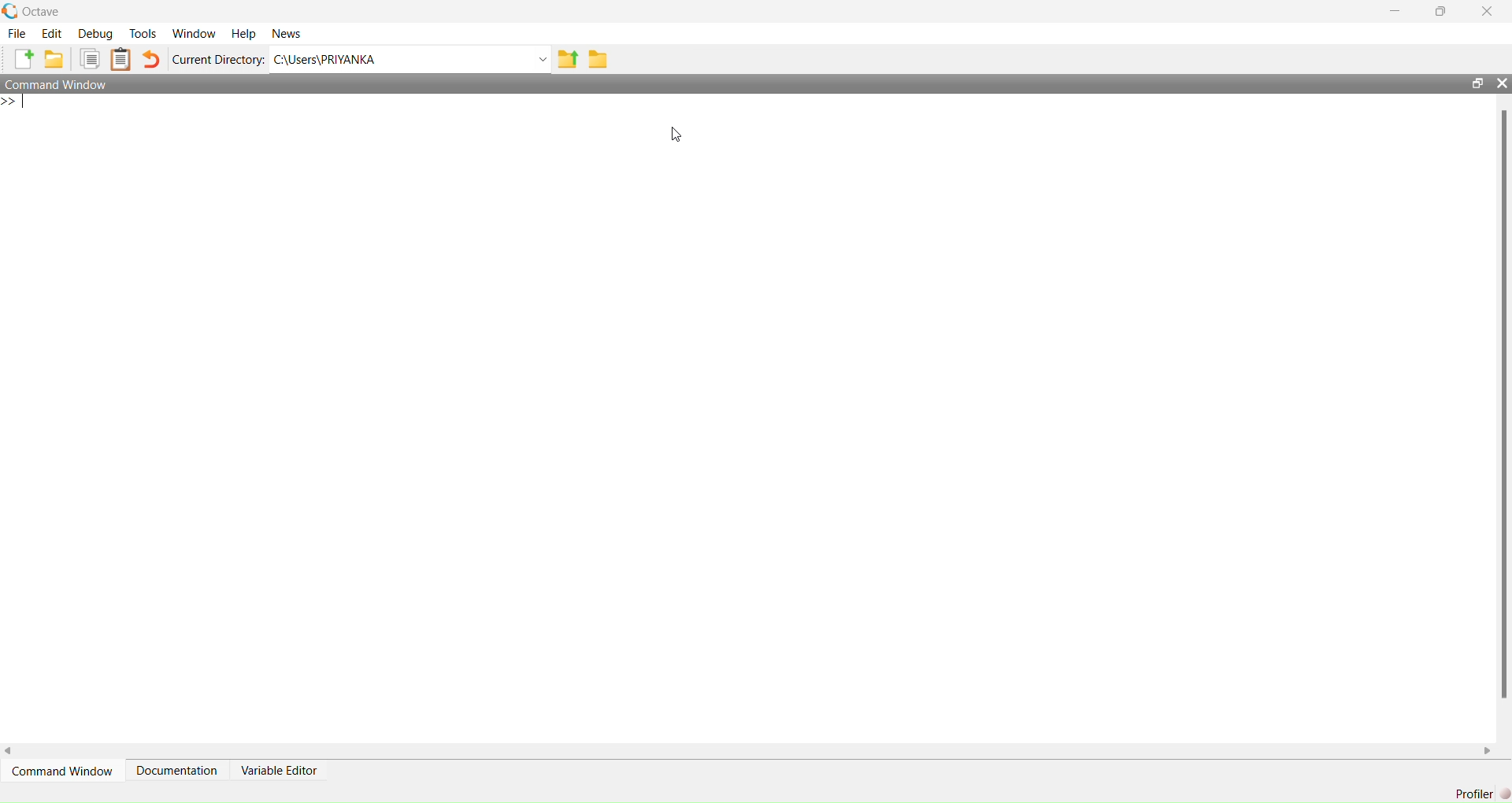 Image resolution: width=1512 pixels, height=803 pixels. What do you see at coordinates (11, 751) in the screenshot?
I see `scroll left` at bounding box center [11, 751].